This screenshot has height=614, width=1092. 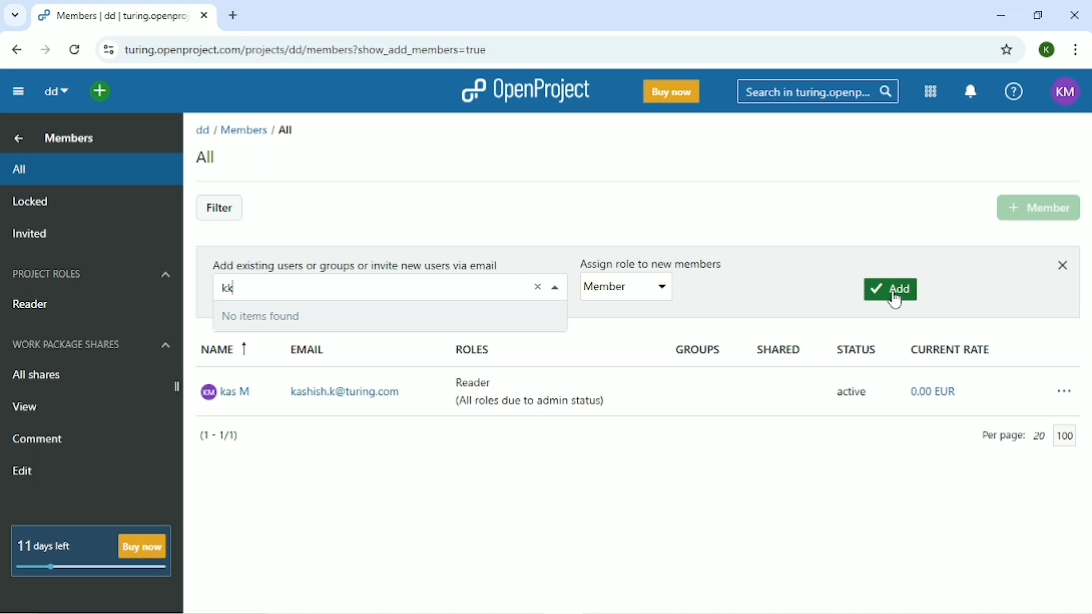 I want to click on Bookmark this tab, so click(x=1005, y=48).